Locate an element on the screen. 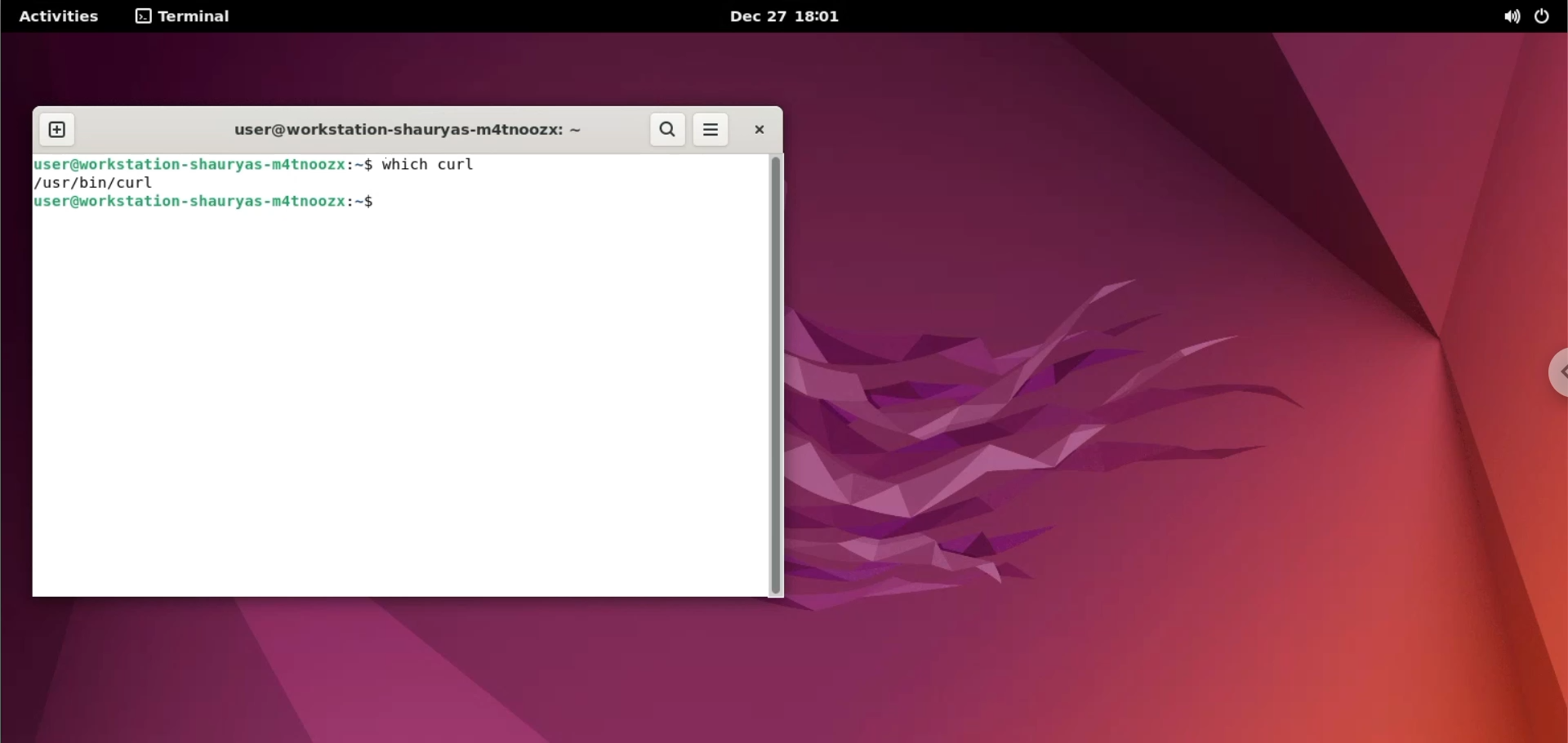 This screenshot has width=1568, height=743. search is located at coordinates (668, 130).